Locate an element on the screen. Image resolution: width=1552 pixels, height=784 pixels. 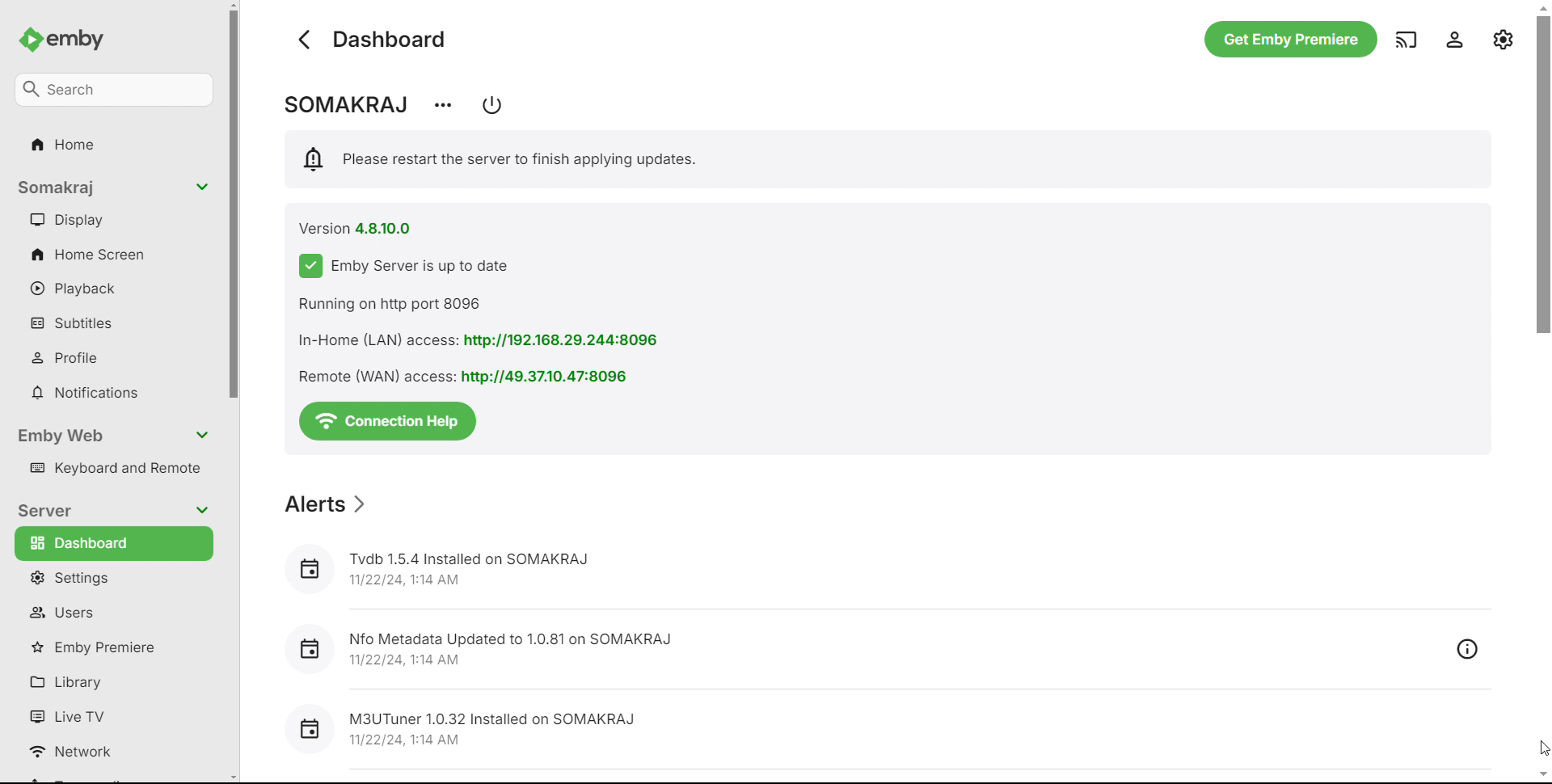
profile is located at coordinates (113, 355).